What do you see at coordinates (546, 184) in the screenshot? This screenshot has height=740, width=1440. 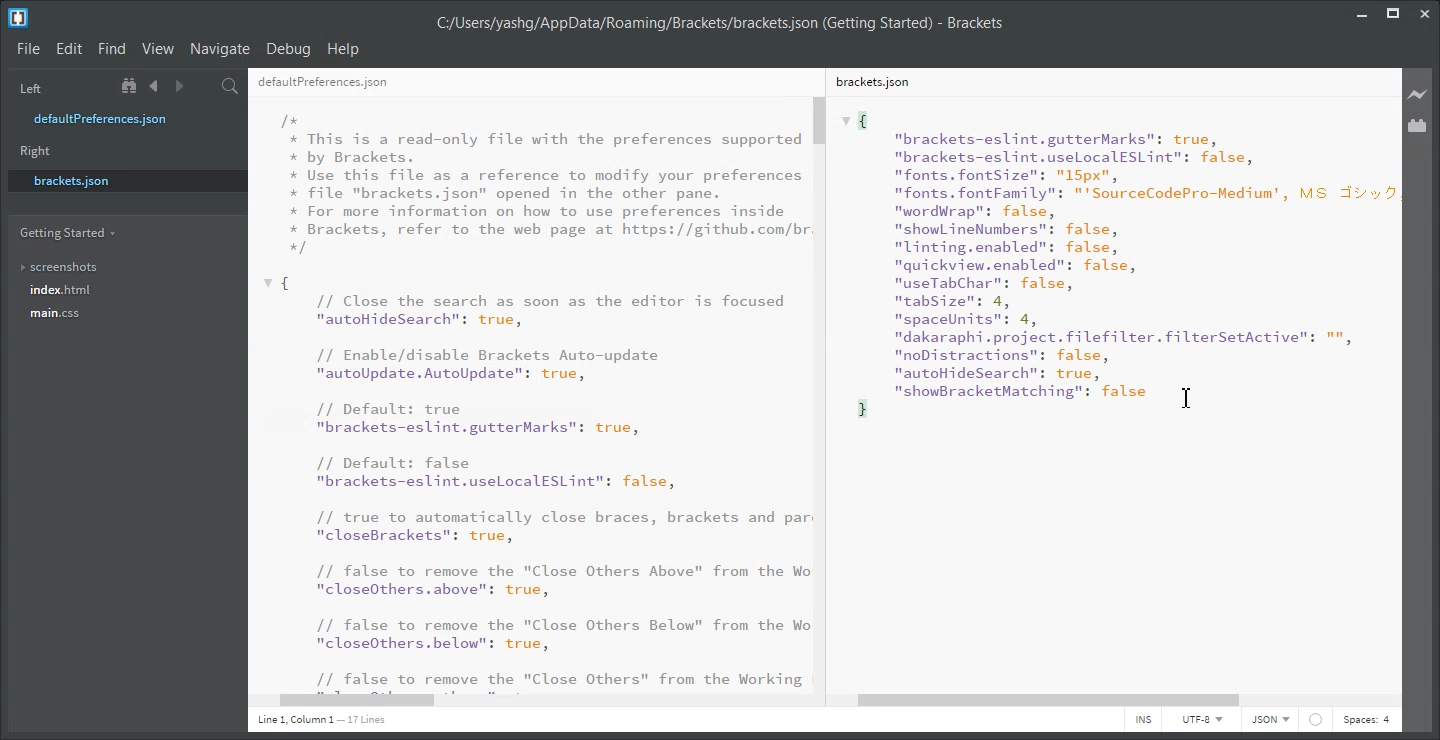 I see `/*

* This is a read-only file with the preferences supported
* by Brackets.

* Use this file as a reference to modify your preferences
* file "brackets.json" opened in the other pane.

* For more information on how to use preferences inside

* Brackets, refer to the web page at https://github.com/br
*/` at bounding box center [546, 184].